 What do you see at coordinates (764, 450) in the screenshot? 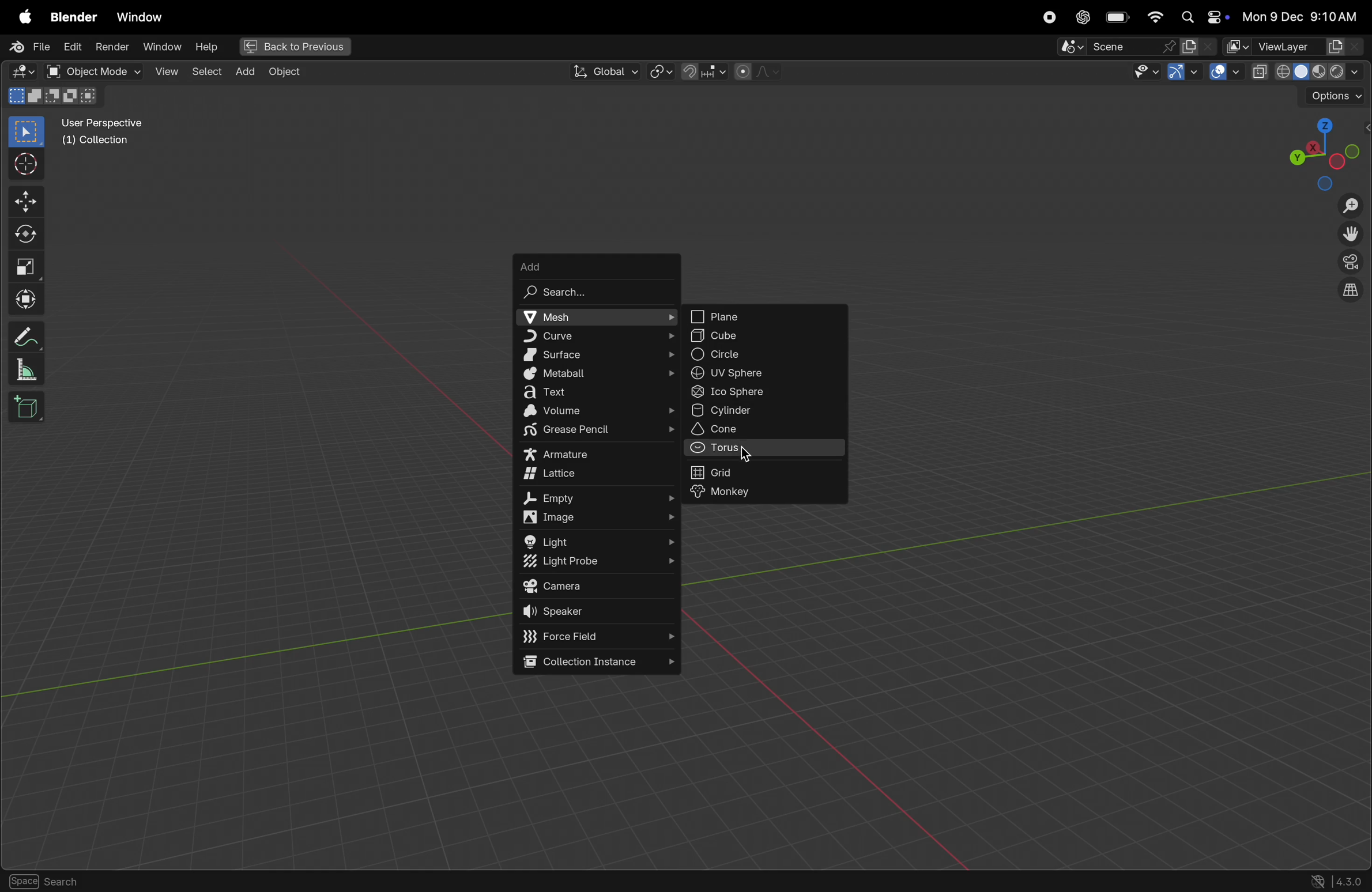
I see `torus` at bounding box center [764, 450].